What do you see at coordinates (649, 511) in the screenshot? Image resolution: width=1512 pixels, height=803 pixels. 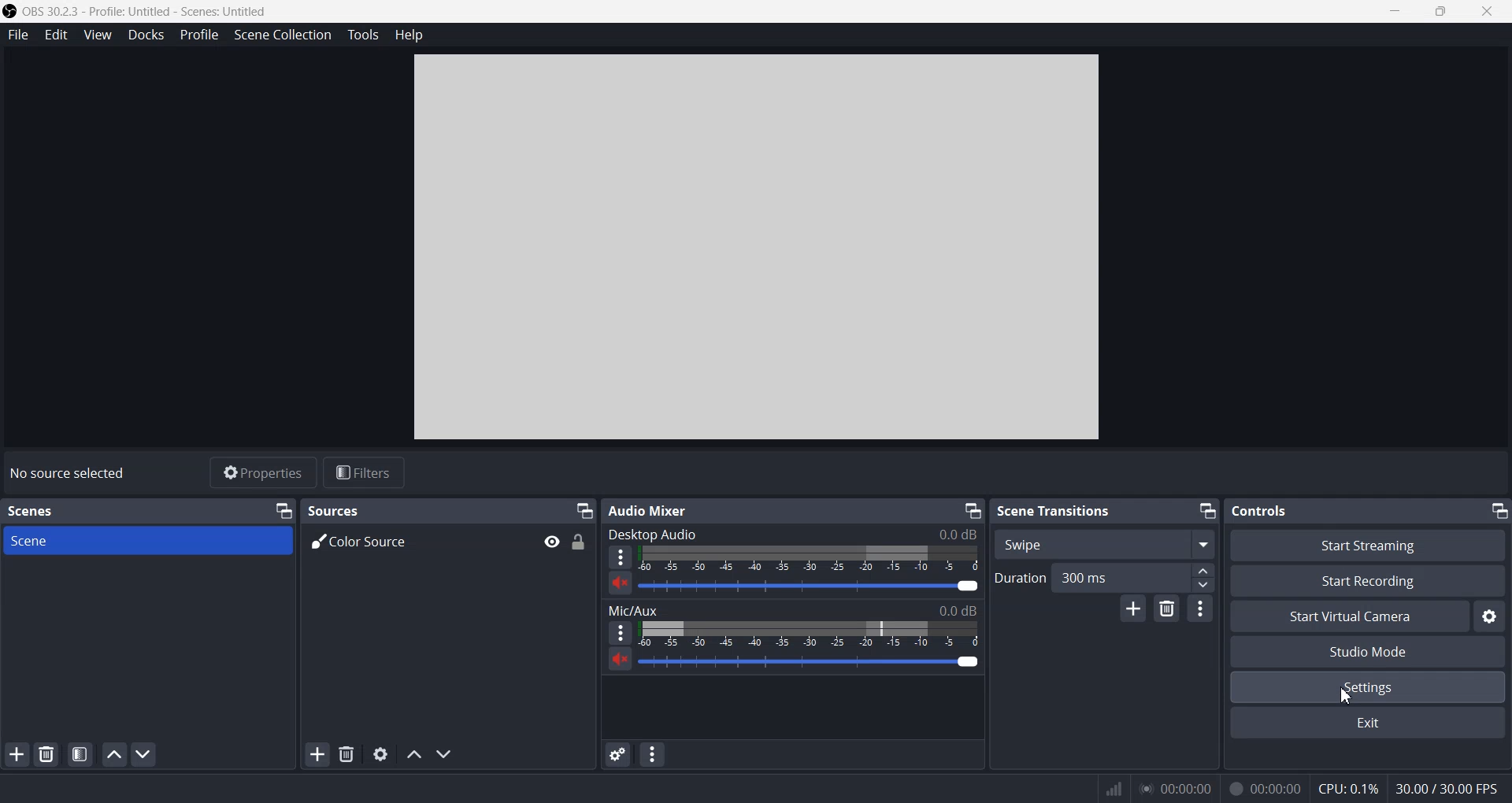 I see `Text` at bounding box center [649, 511].